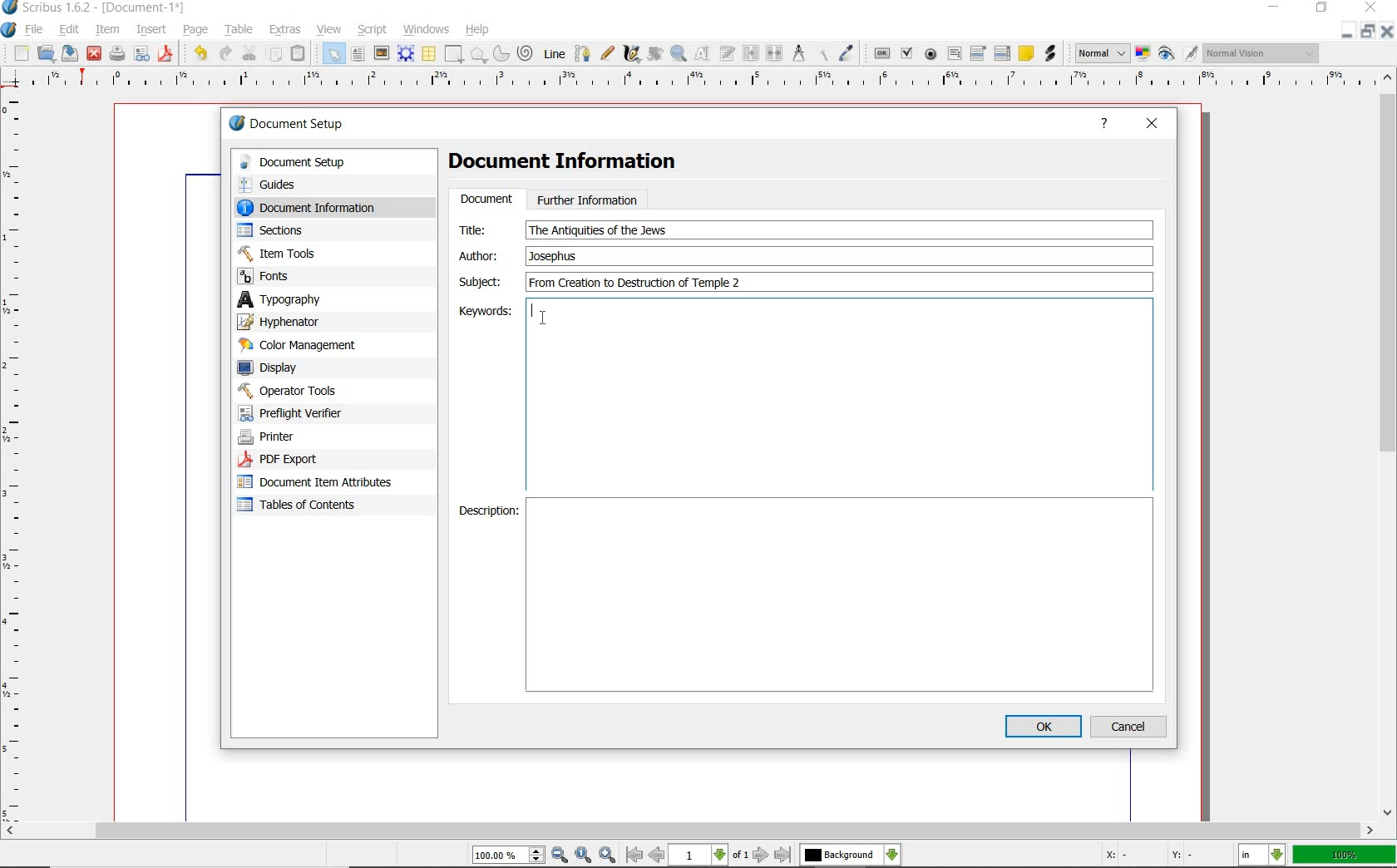  Describe the element at coordinates (1147, 856) in the screenshot. I see `coordinates` at that location.